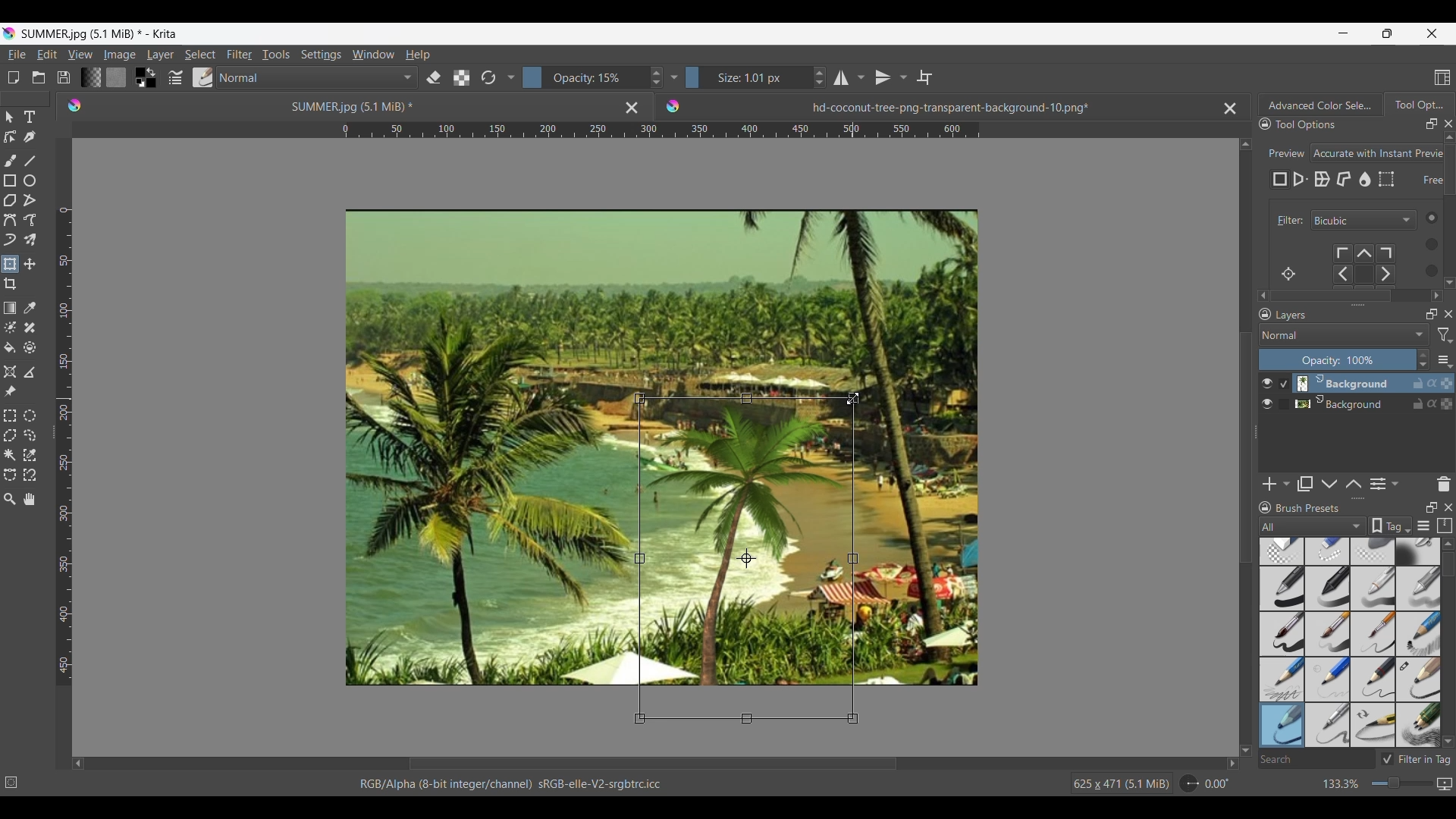 This screenshot has height=819, width=1456. Describe the element at coordinates (1423, 527) in the screenshot. I see `Display settings` at that location.